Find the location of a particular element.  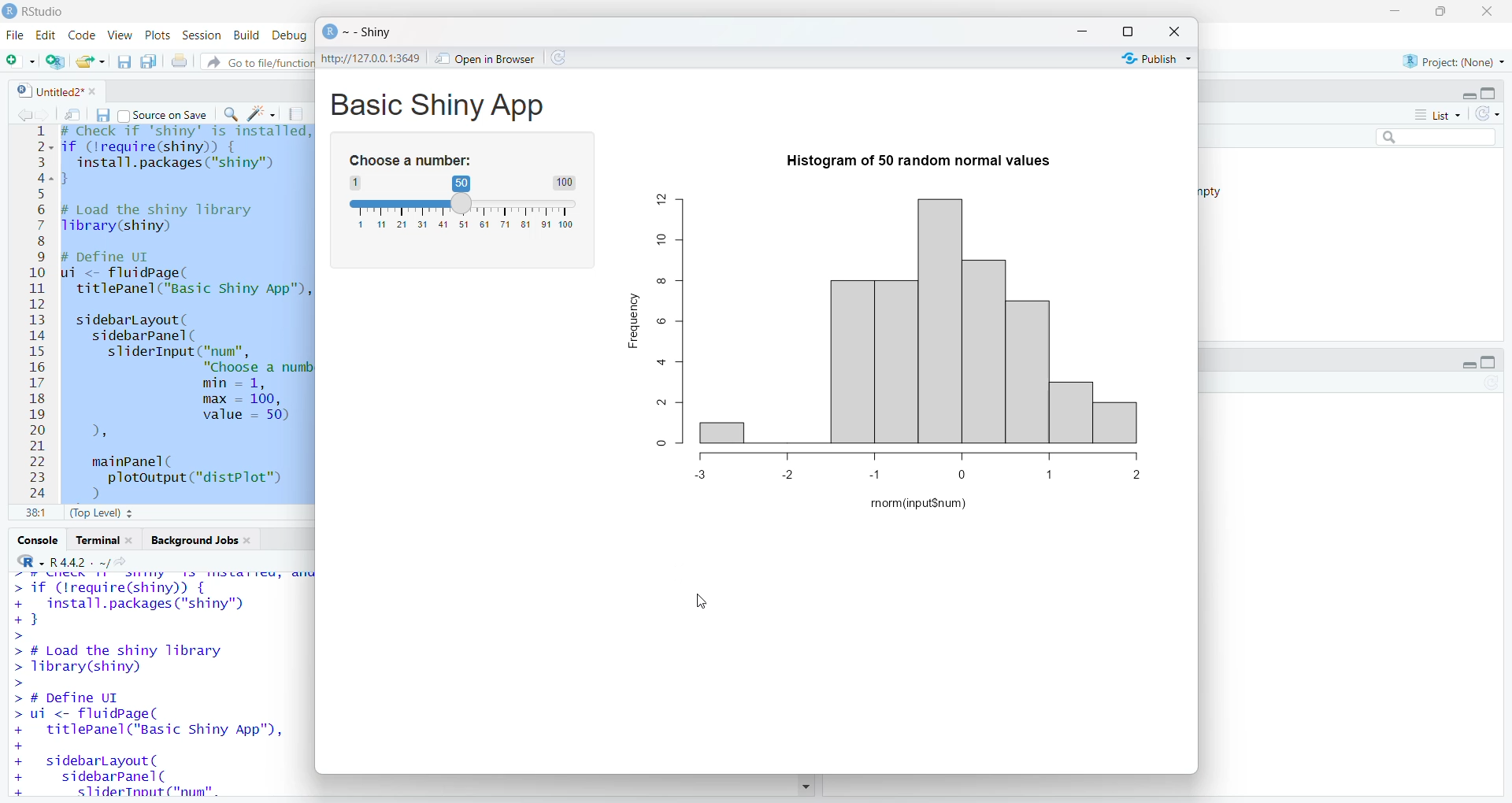

new file is located at coordinates (21, 61).